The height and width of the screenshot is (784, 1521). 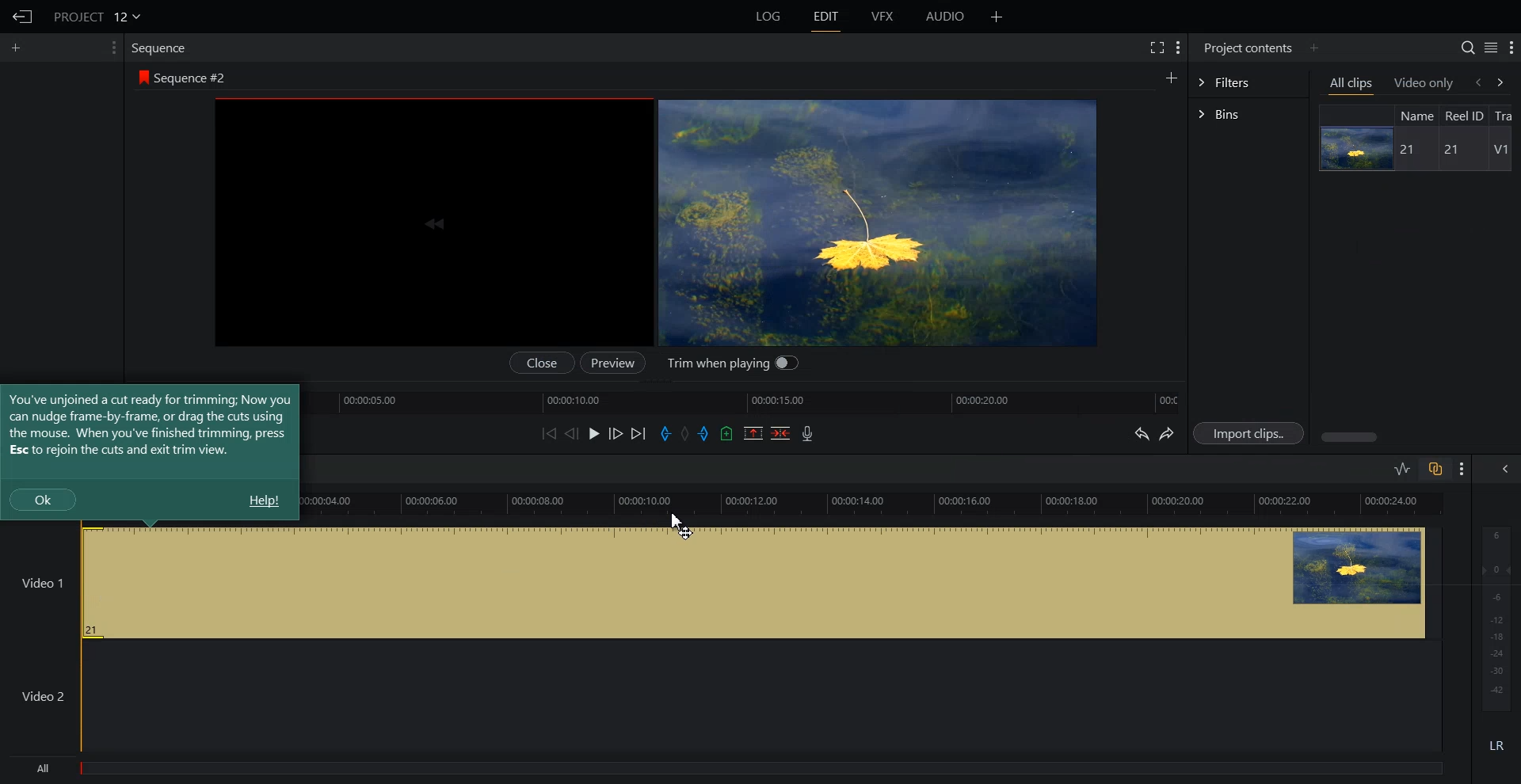 What do you see at coordinates (572, 433) in the screenshot?
I see `Nudge one frame back` at bounding box center [572, 433].